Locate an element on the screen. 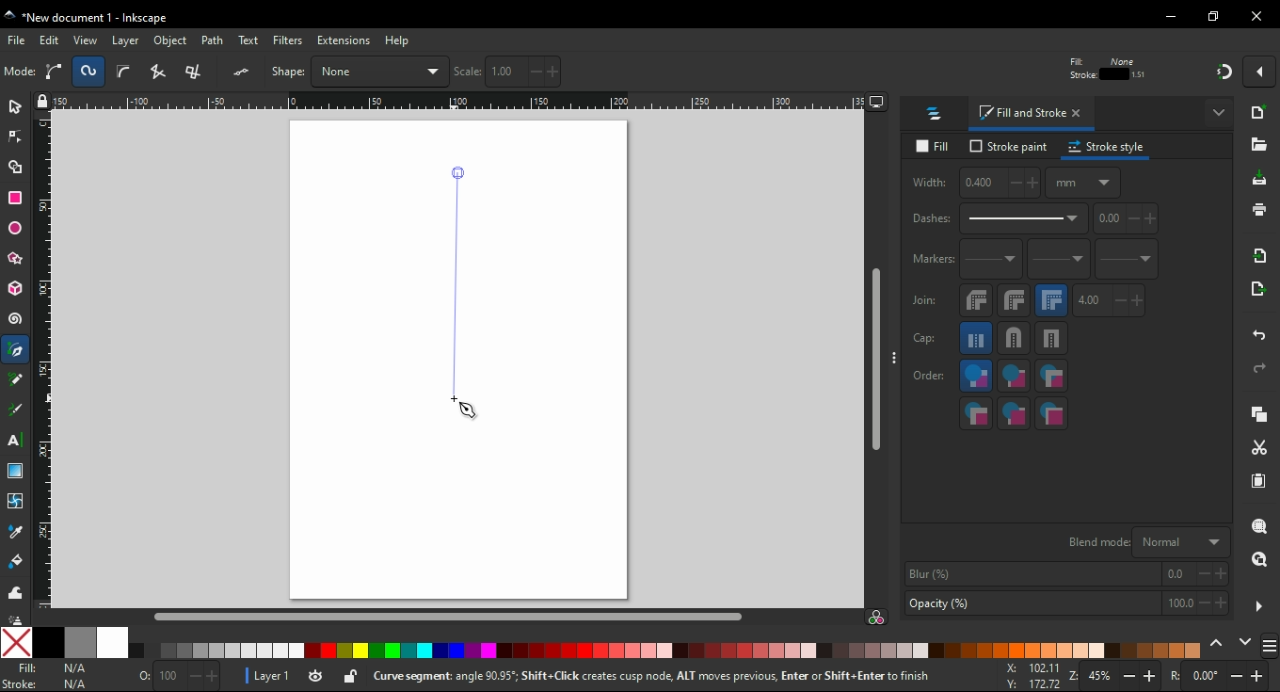 The width and height of the screenshot is (1280, 692). more options is located at coordinates (1220, 111).